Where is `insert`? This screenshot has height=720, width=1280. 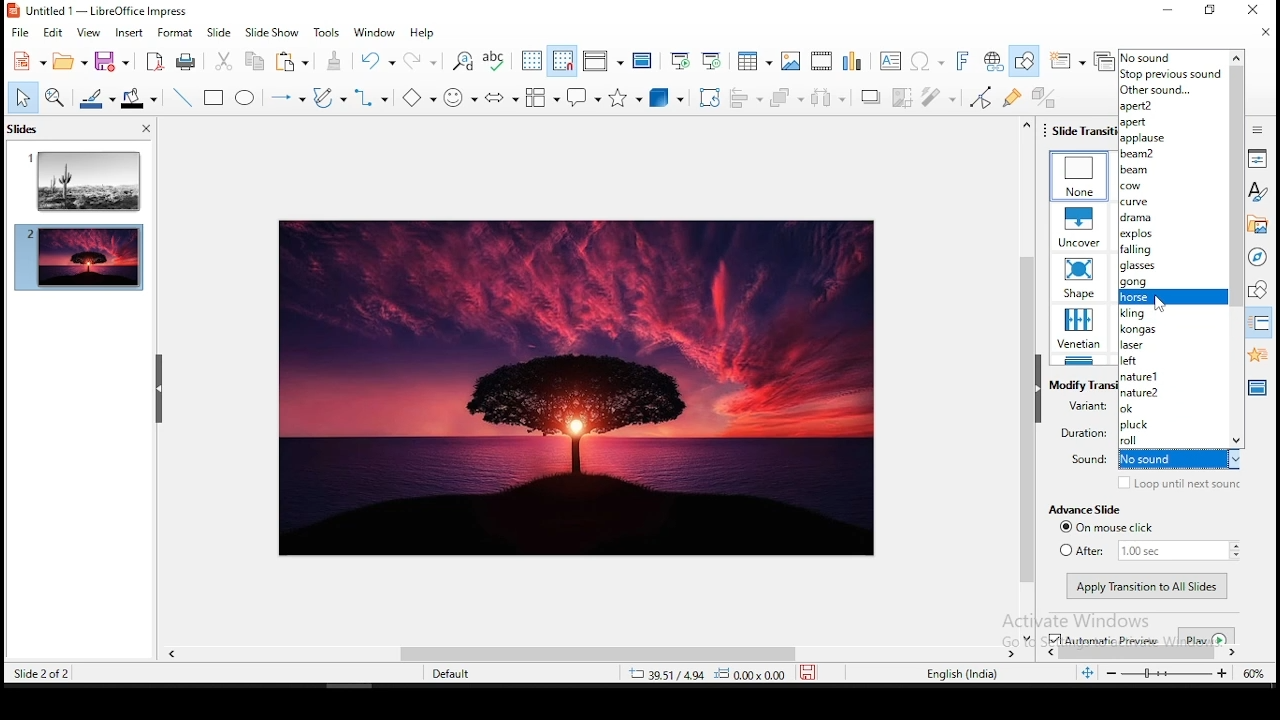 insert is located at coordinates (128, 32).